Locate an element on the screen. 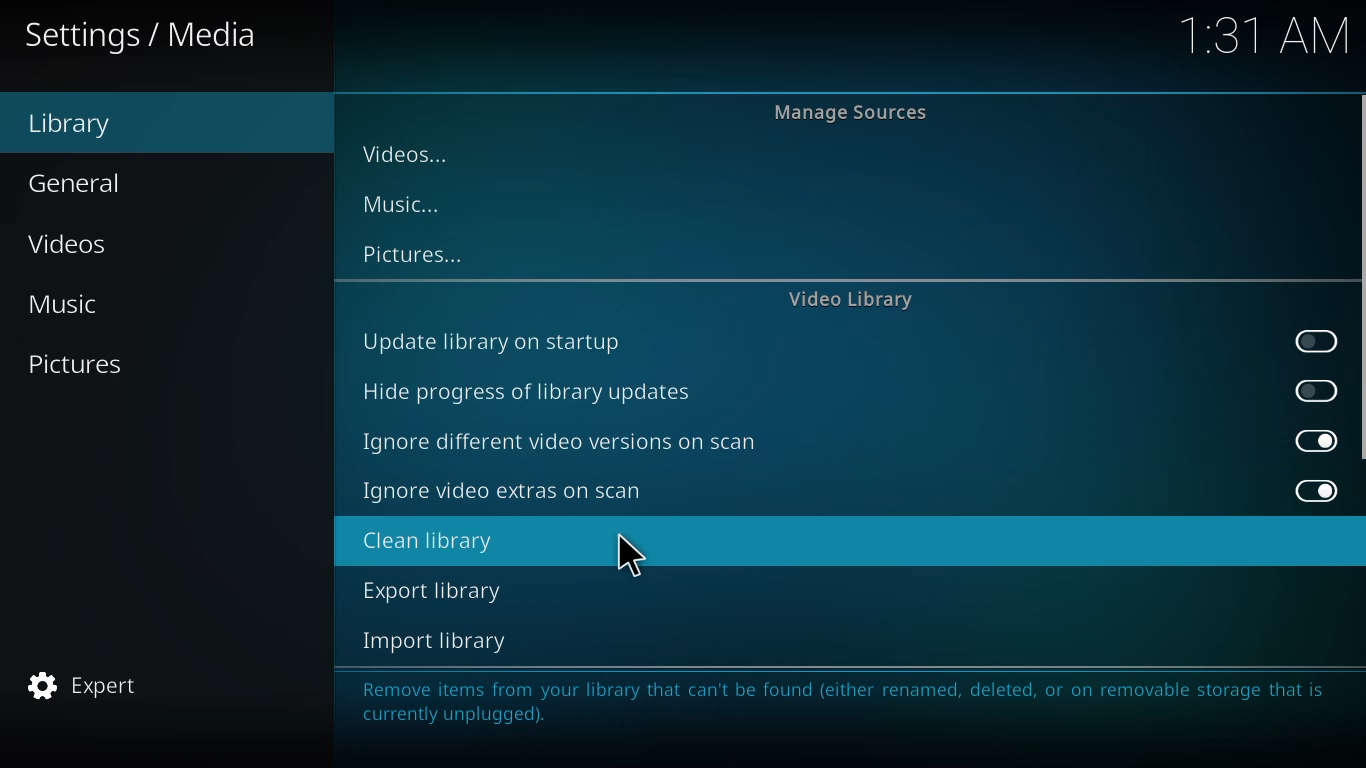 Image resolution: width=1366 pixels, height=768 pixels. time is located at coordinates (1256, 38).